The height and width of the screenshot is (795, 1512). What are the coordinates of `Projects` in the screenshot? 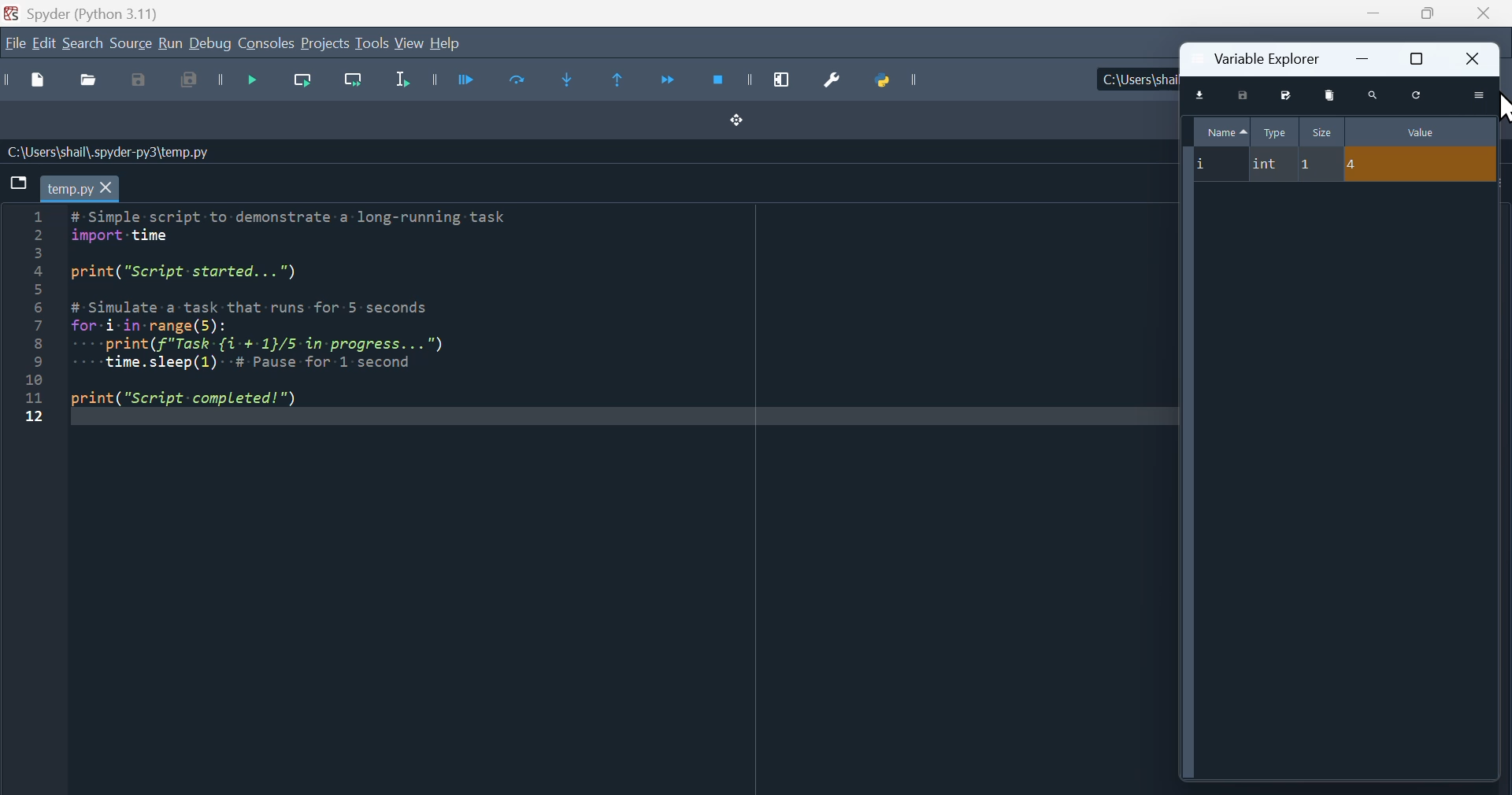 It's located at (325, 44).